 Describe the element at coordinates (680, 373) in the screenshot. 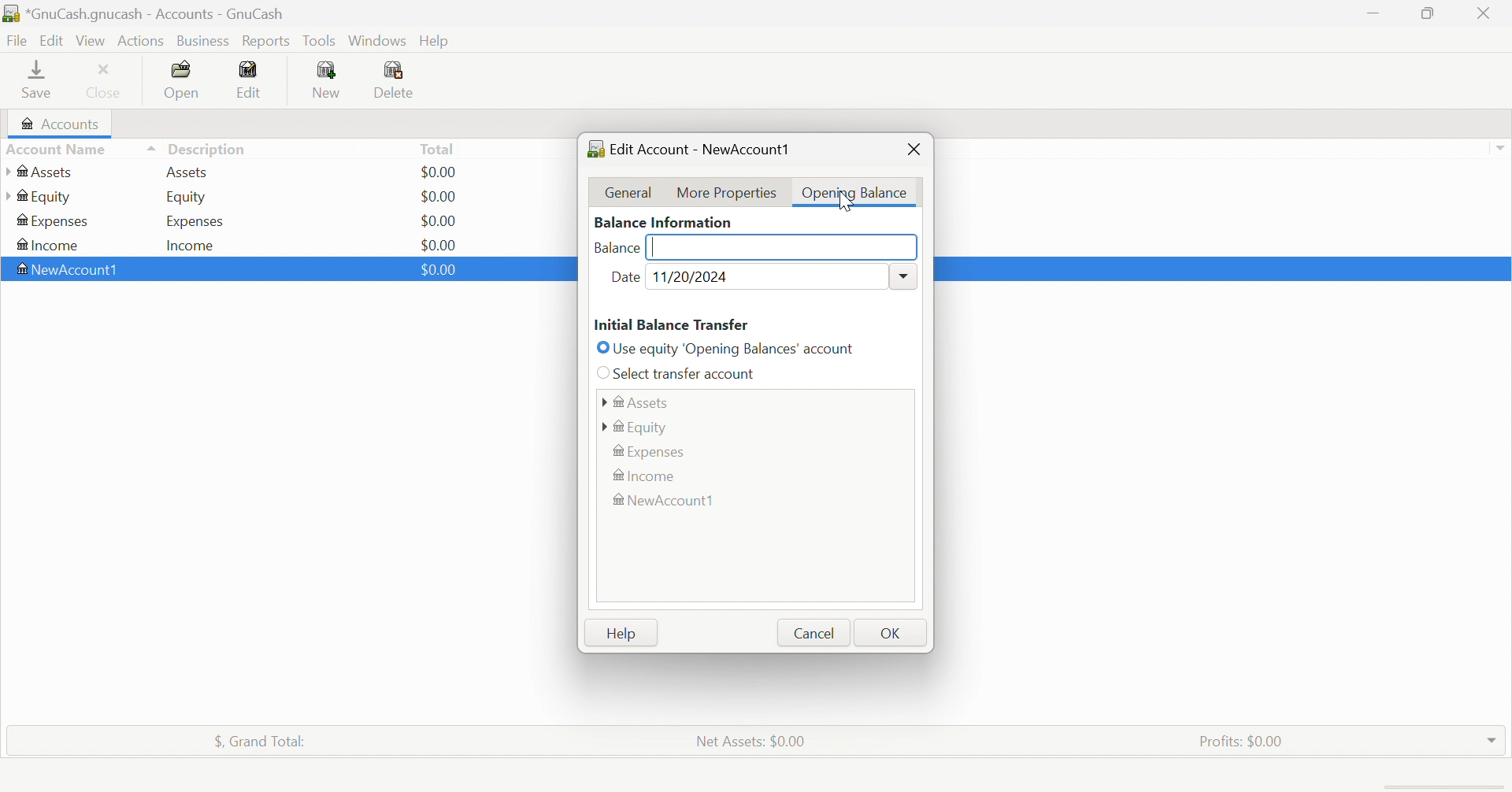

I see `Select transfer account` at that location.